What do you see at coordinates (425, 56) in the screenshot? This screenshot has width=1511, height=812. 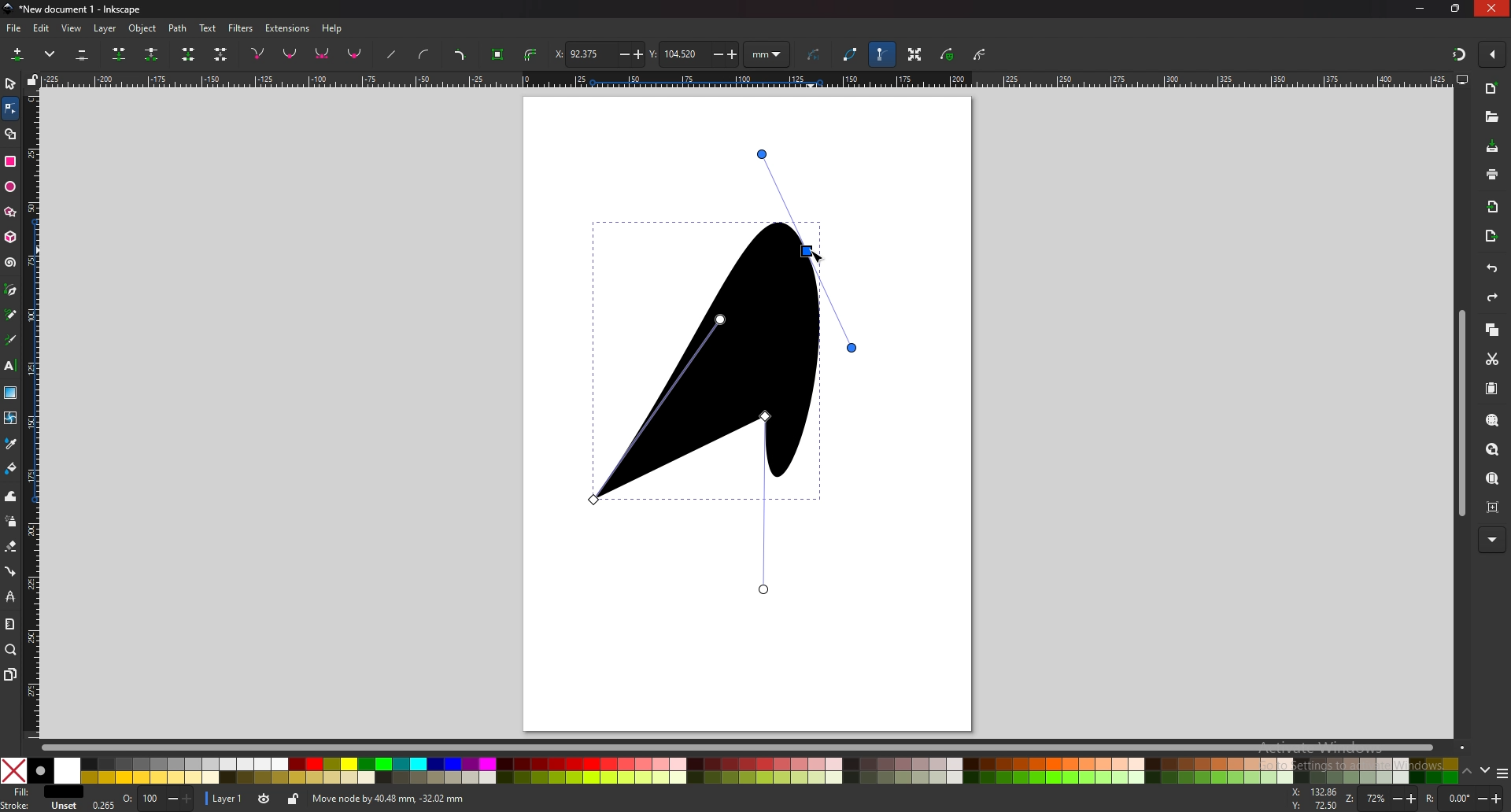 I see `add curve handles` at bounding box center [425, 56].